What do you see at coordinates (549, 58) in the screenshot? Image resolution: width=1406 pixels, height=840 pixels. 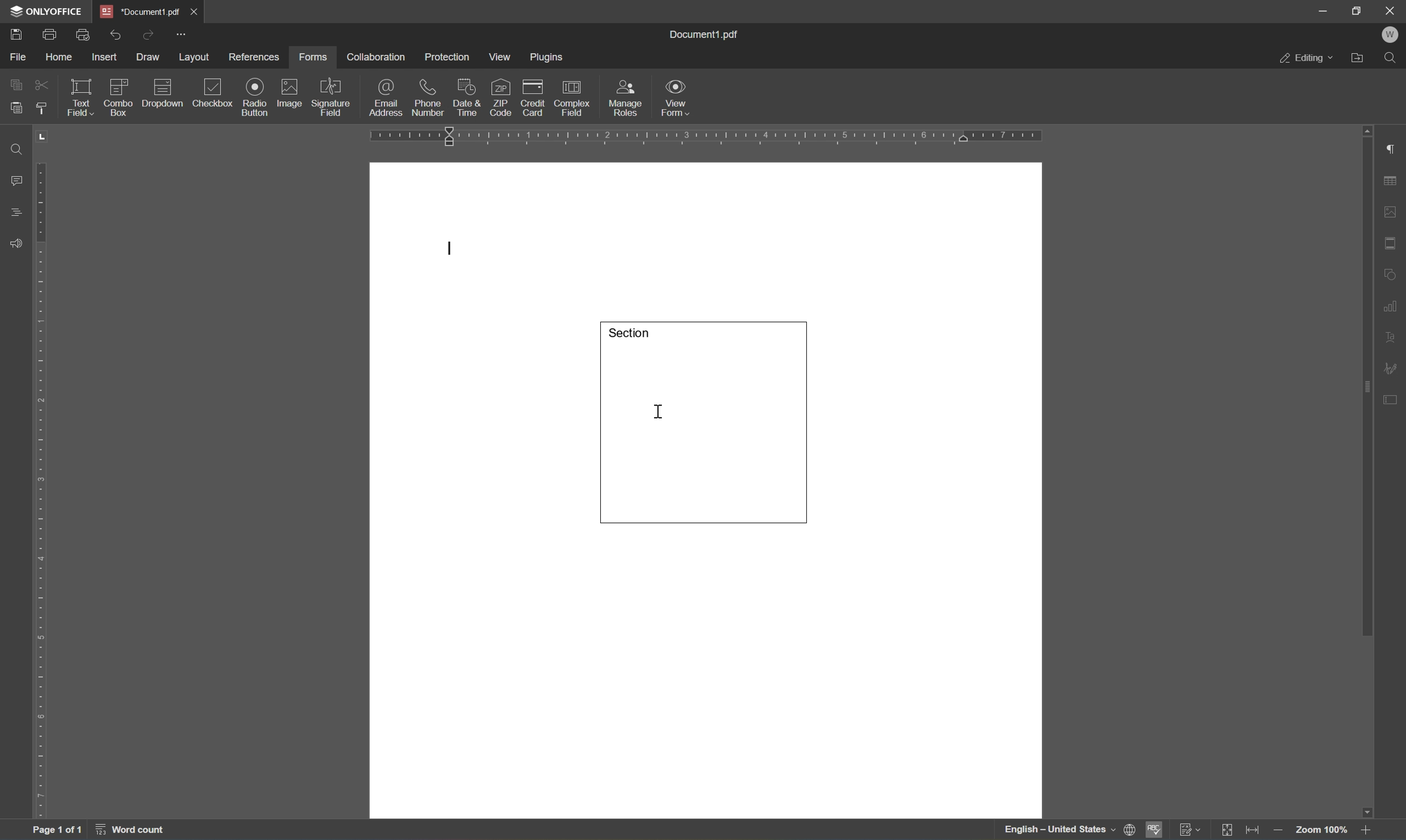 I see `plugins` at bounding box center [549, 58].